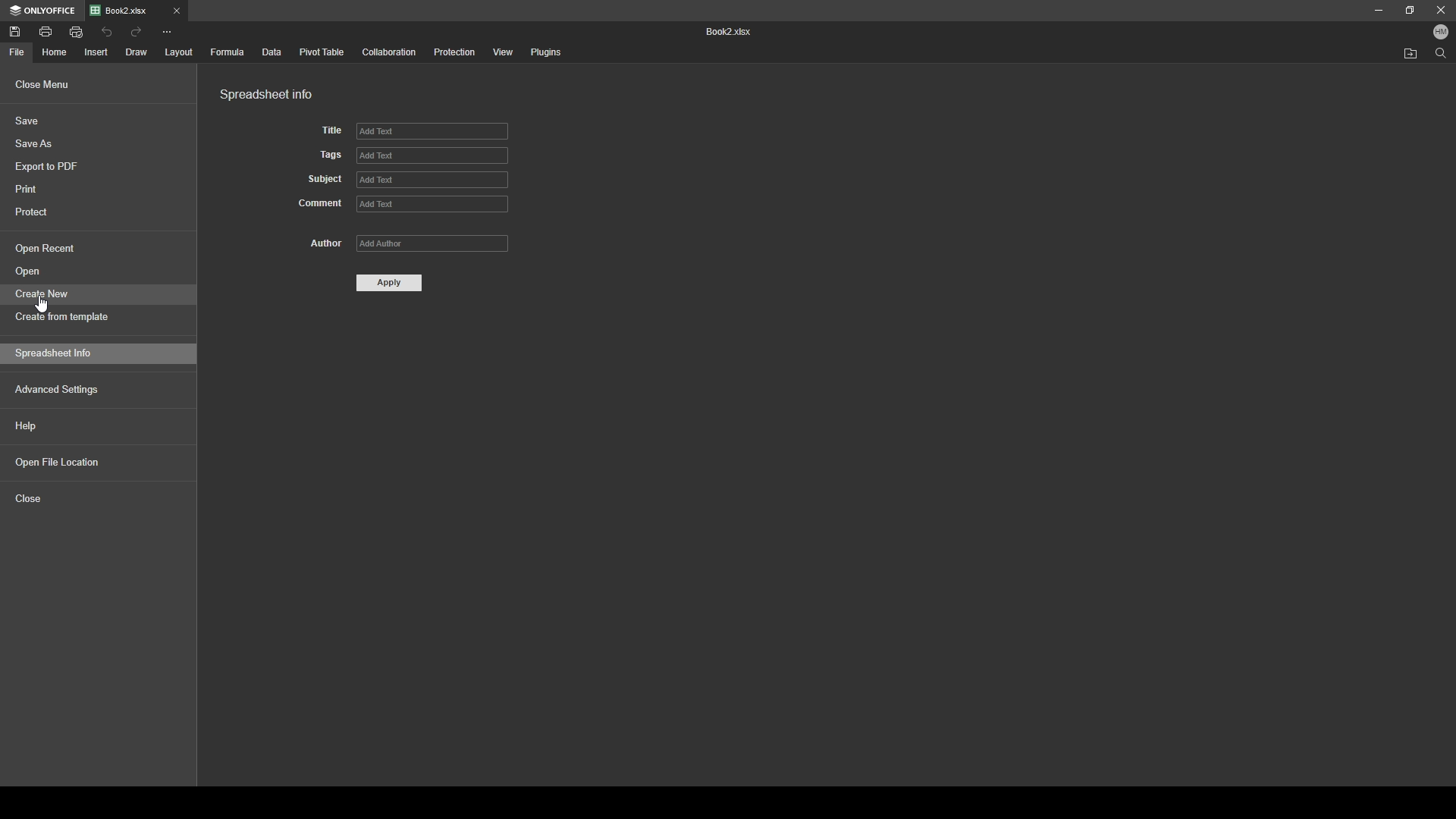  Describe the element at coordinates (742, 35) in the screenshot. I see `Book2 xlsx` at that location.